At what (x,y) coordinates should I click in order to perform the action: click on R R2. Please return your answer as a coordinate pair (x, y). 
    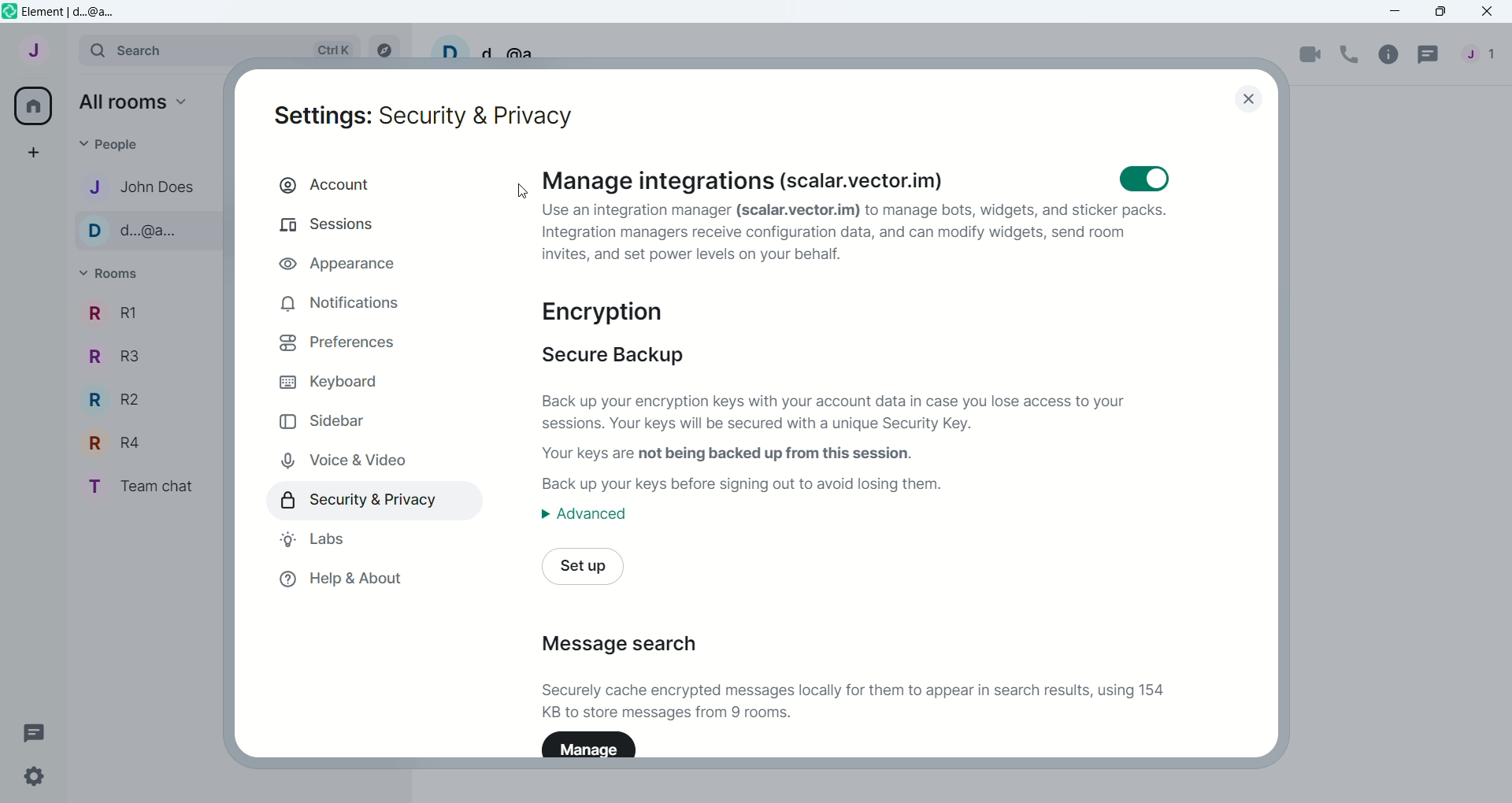
    Looking at the image, I should click on (115, 400).